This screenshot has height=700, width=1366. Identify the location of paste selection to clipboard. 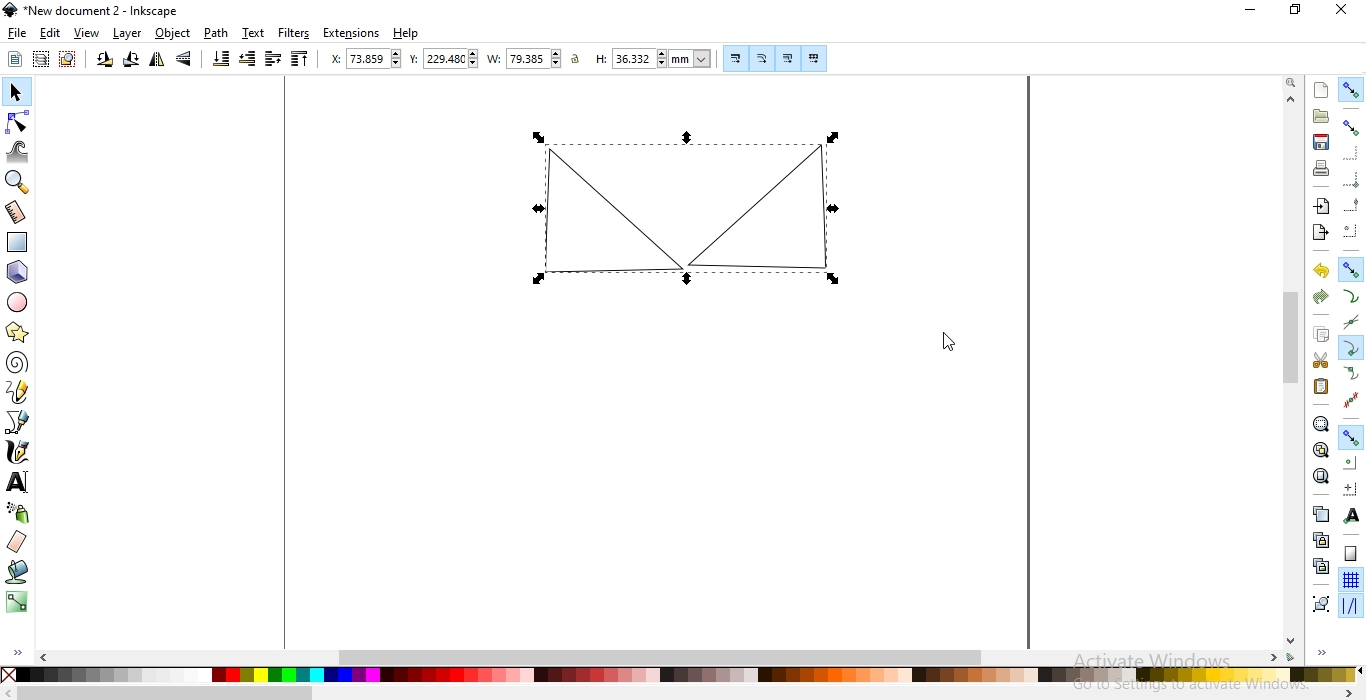
(1322, 386).